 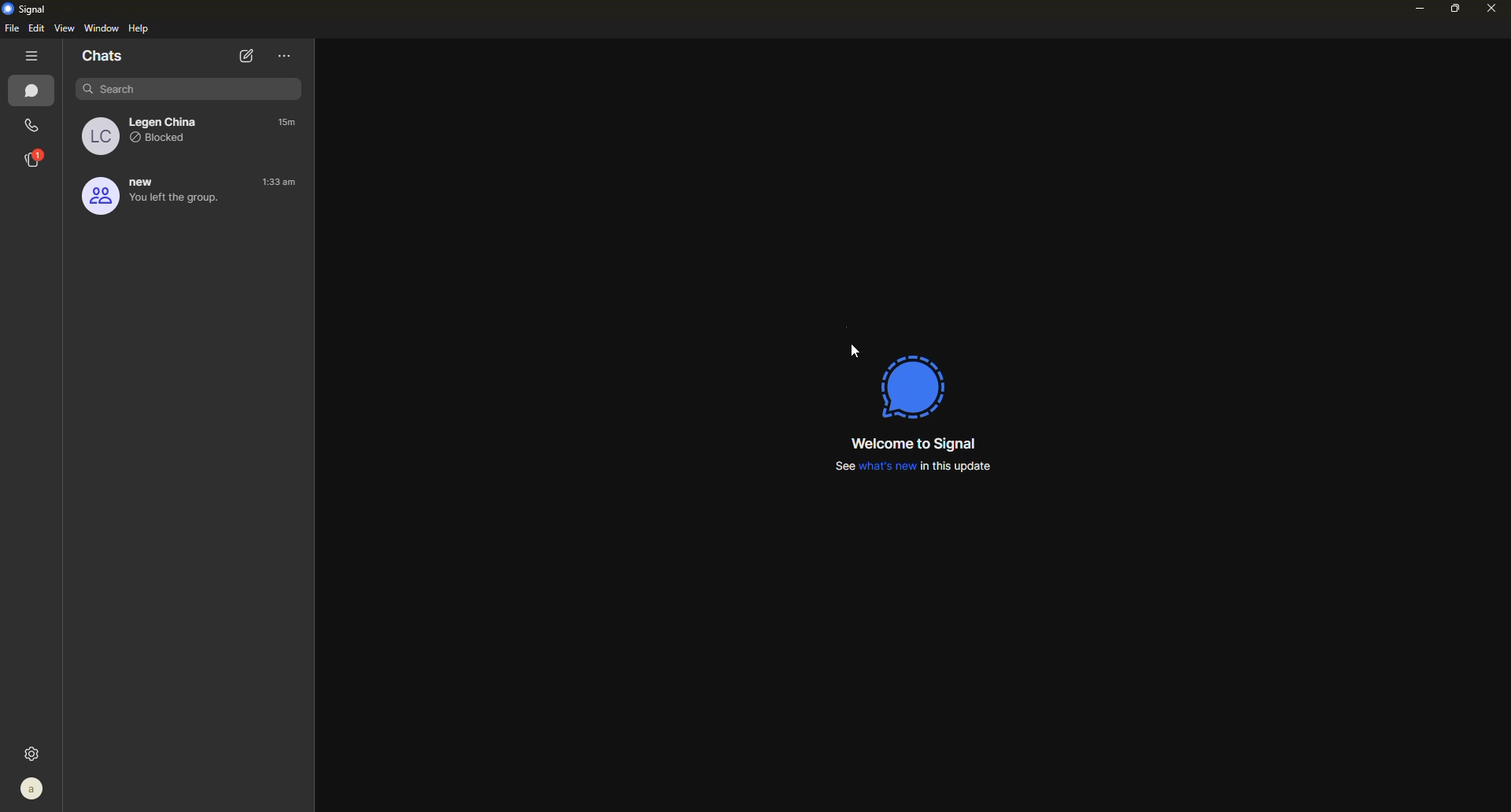 What do you see at coordinates (1486, 8) in the screenshot?
I see `close` at bounding box center [1486, 8].